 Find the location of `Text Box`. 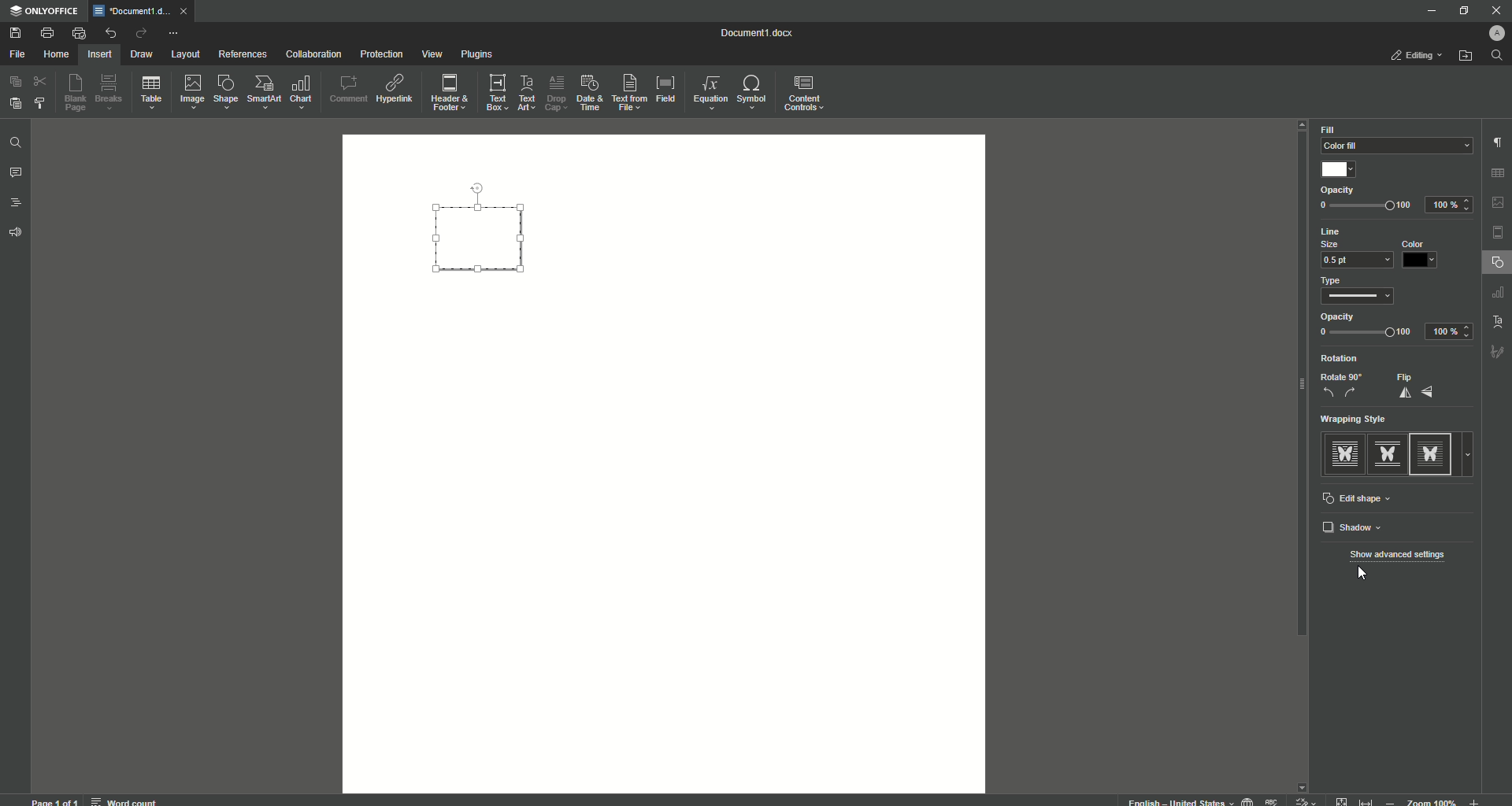

Text Box is located at coordinates (482, 231).